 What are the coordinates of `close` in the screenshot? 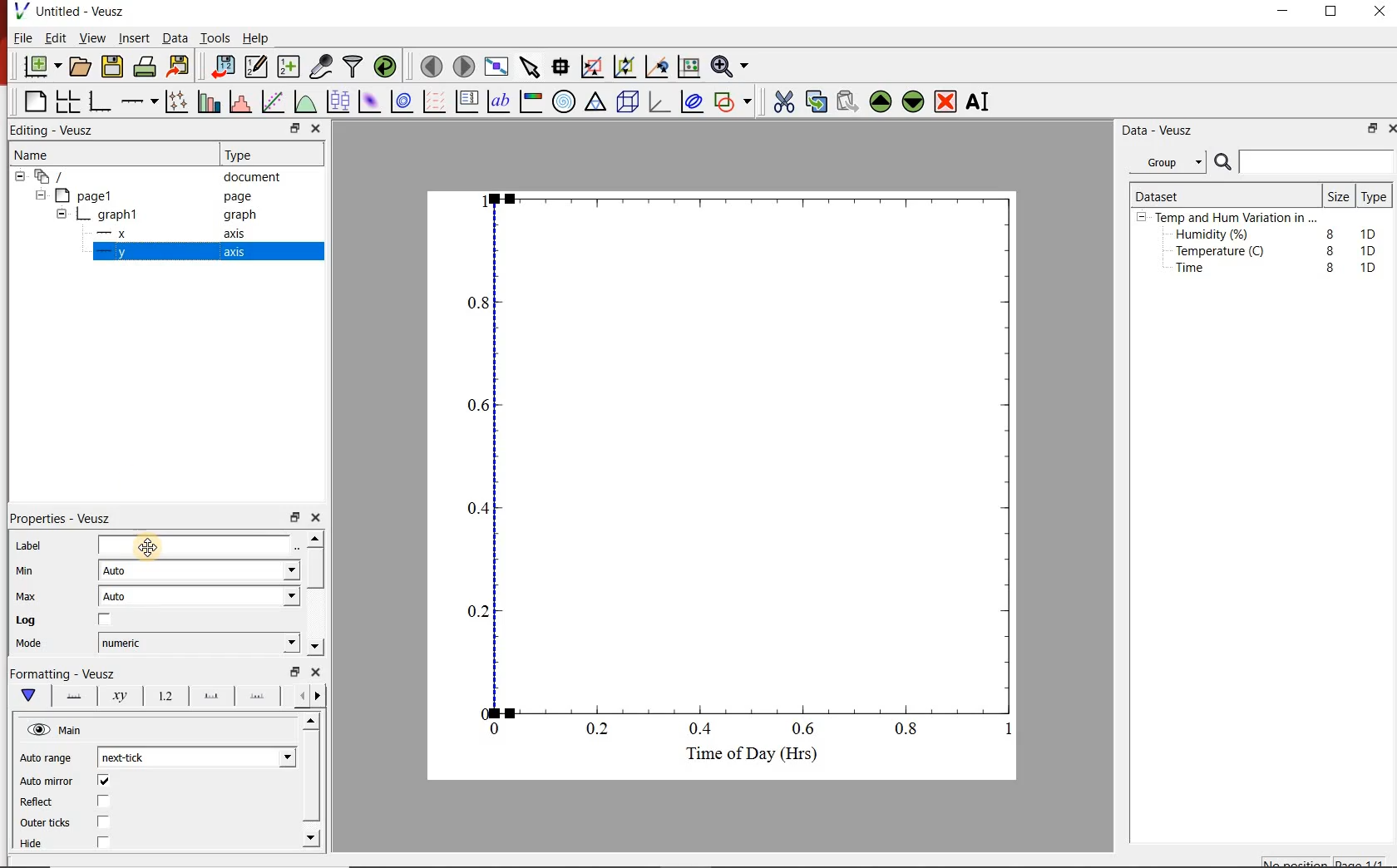 It's located at (321, 518).